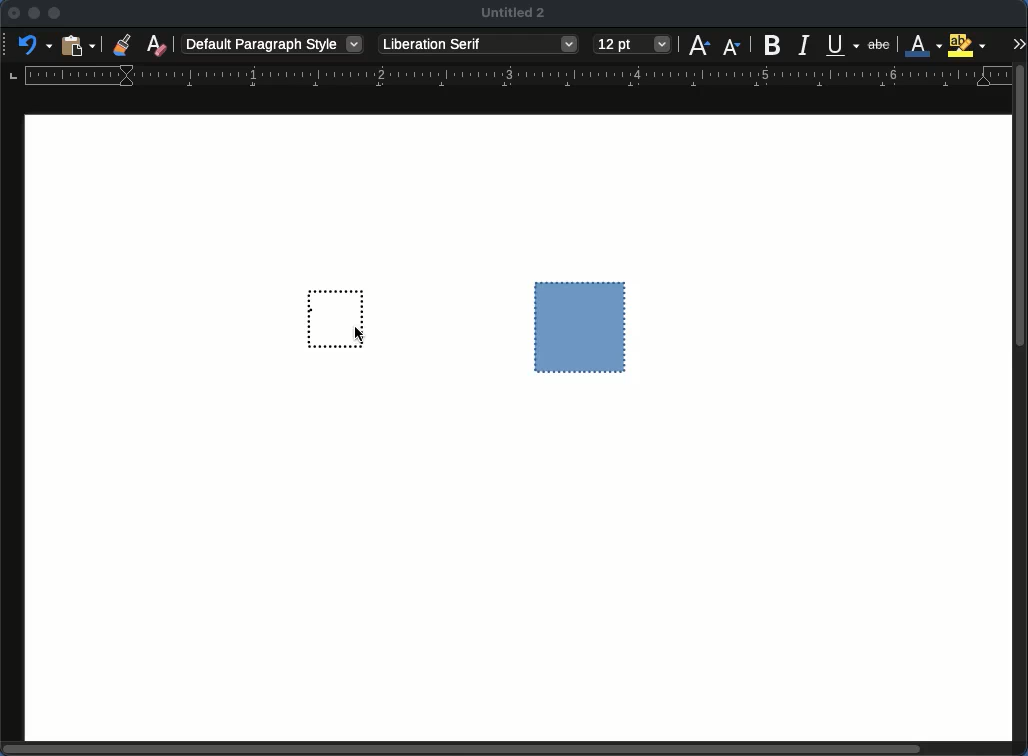 Image resolution: width=1028 pixels, height=756 pixels. Describe the element at coordinates (360, 334) in the screenshot. I see `Cursor` at that location.